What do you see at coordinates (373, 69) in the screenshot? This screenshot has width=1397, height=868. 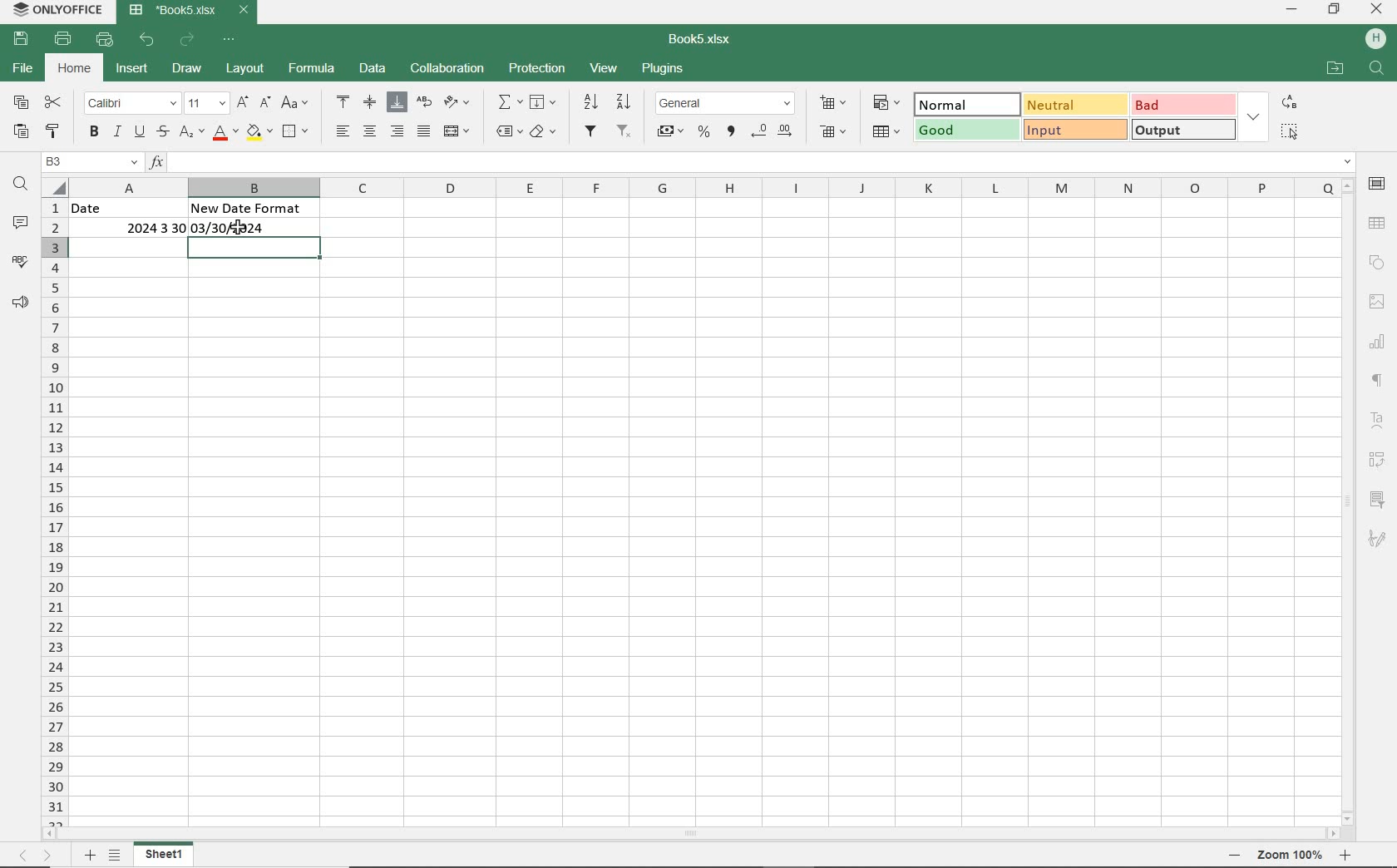 I see `DATA` at bounding box center [373, 69].